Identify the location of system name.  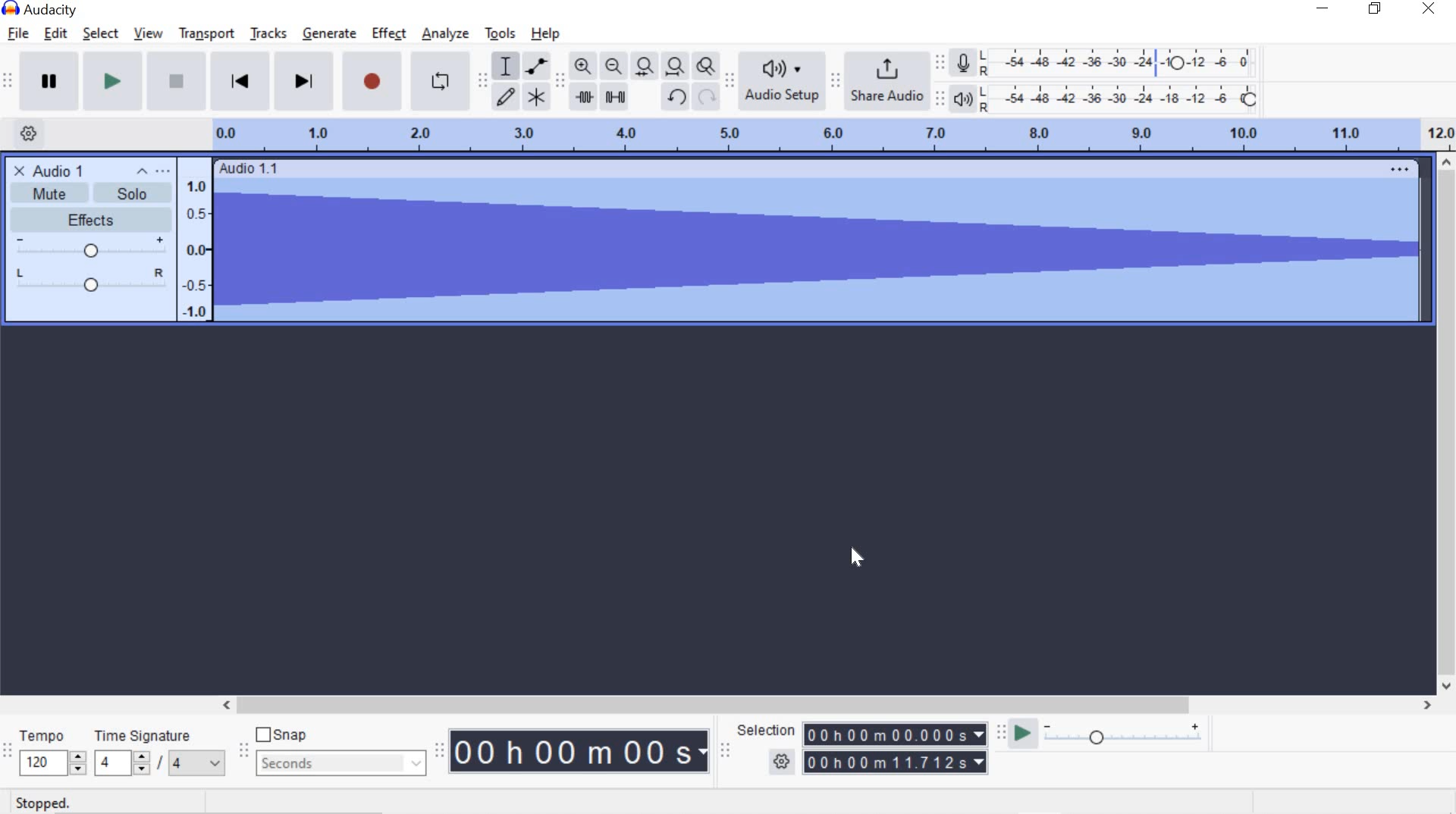
(40, 10).